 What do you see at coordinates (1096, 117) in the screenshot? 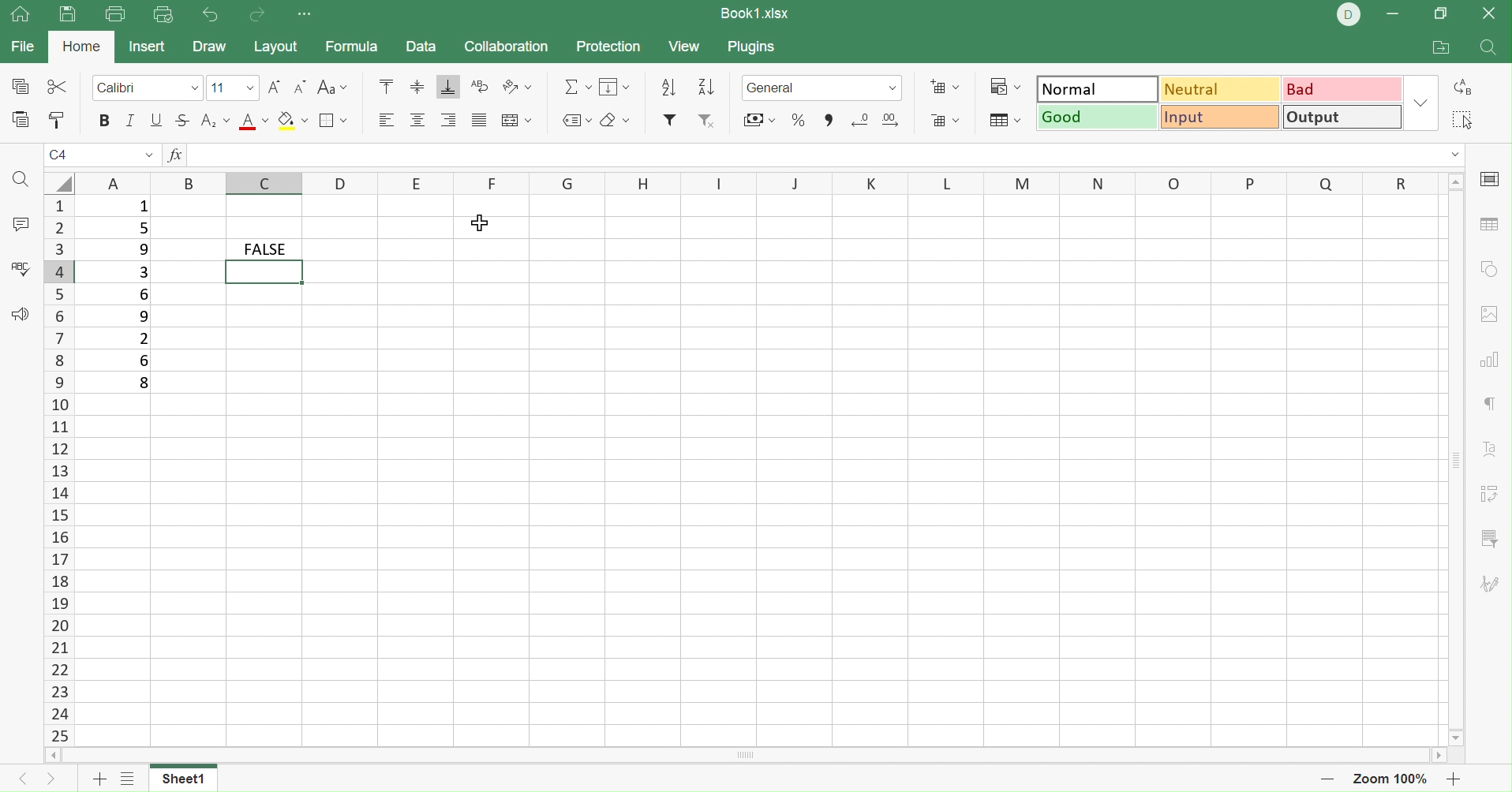
I see `Good` at bounding box center [1096, 117].